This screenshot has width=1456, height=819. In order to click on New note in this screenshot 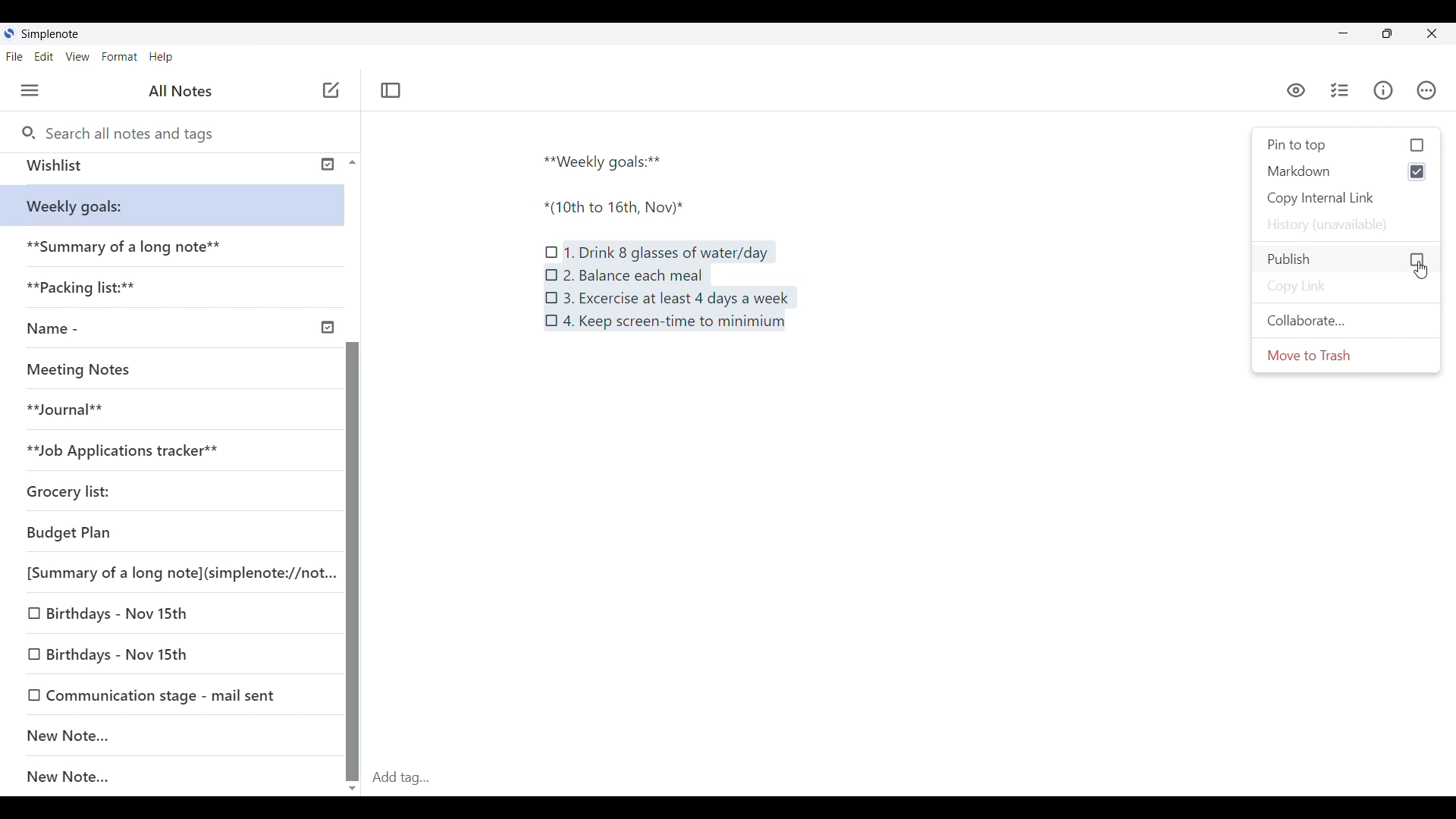, I will do `click(164, 735)`.